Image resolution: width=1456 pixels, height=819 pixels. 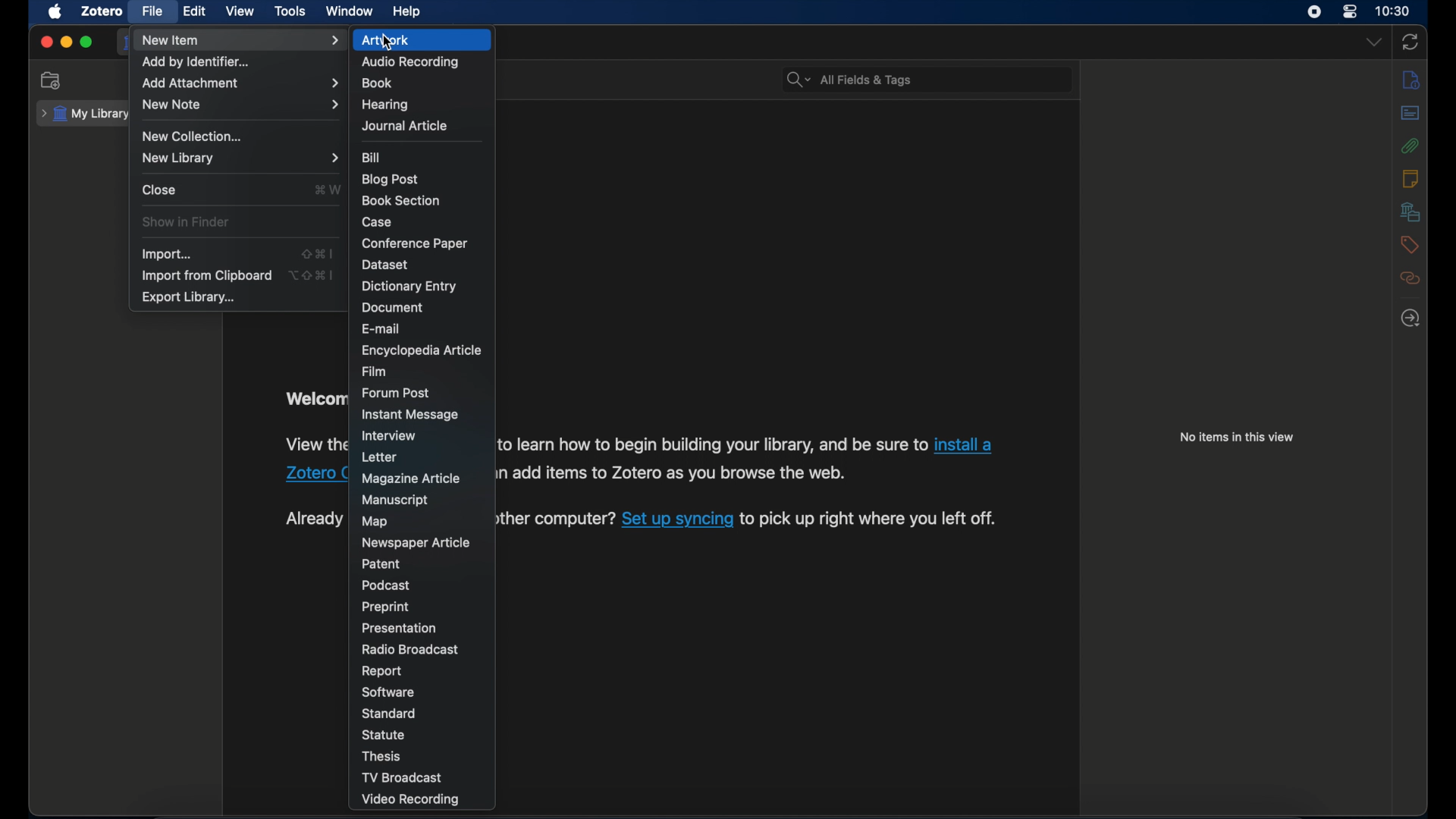 What do you see at coordinates (240, 158) in the screenshot?
I see `new library` at bounding box center [240, 158].